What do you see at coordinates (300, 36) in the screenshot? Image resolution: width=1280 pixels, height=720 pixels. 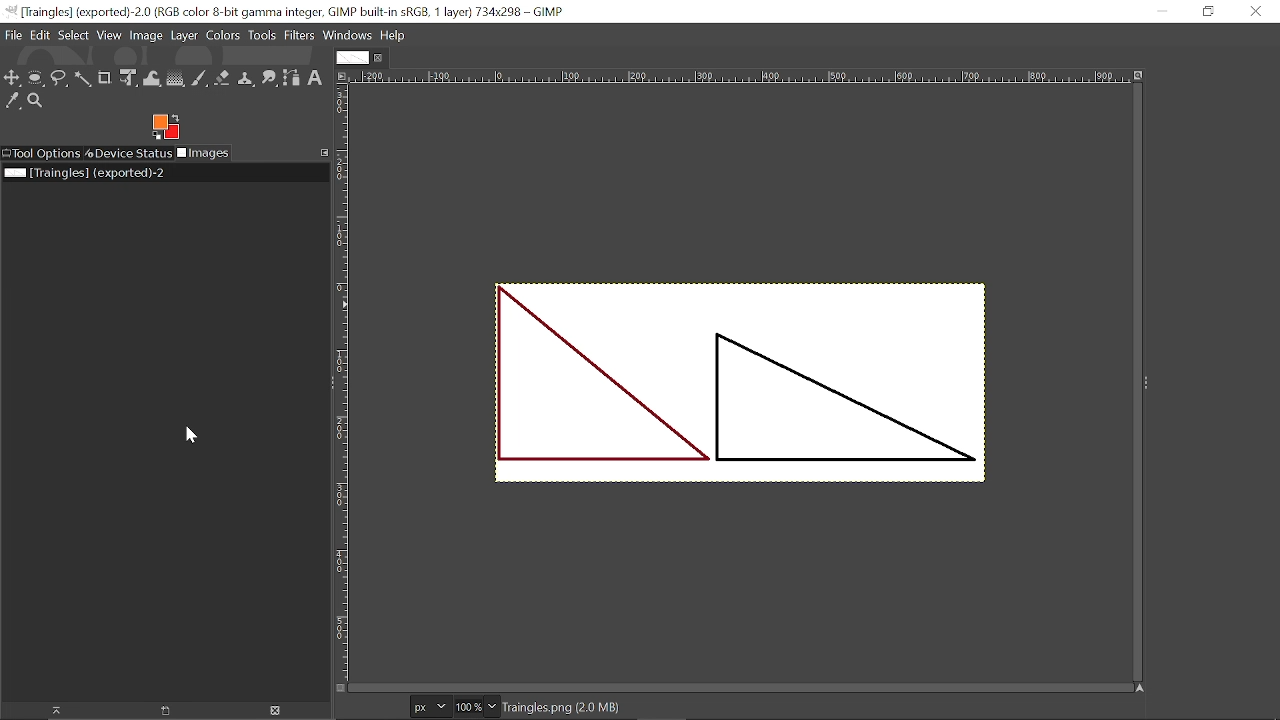 I see `Filters` at bounding box center [300, 36].